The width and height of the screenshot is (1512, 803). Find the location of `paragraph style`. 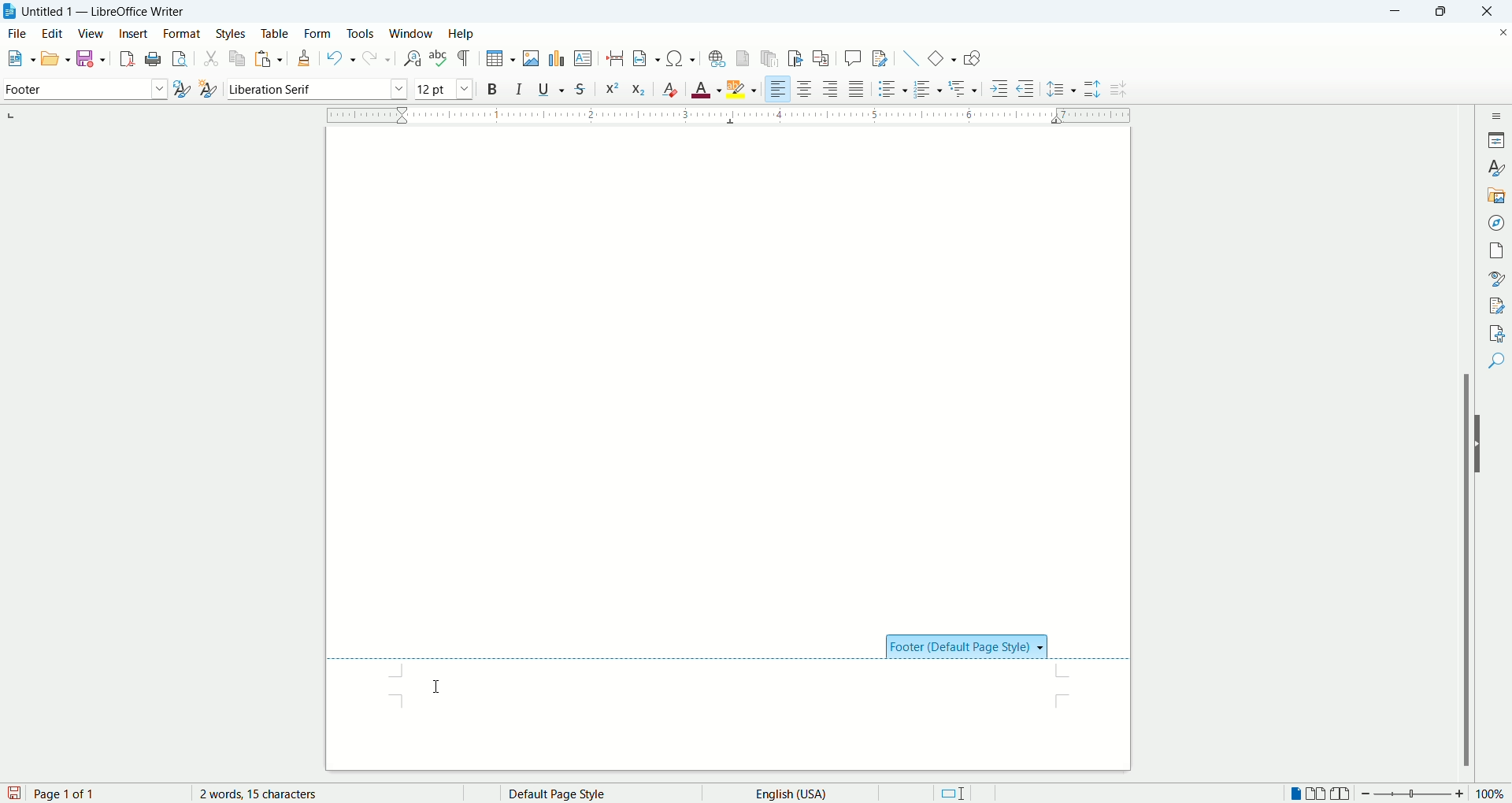

paragraph style is located at coordinates (82, 89).